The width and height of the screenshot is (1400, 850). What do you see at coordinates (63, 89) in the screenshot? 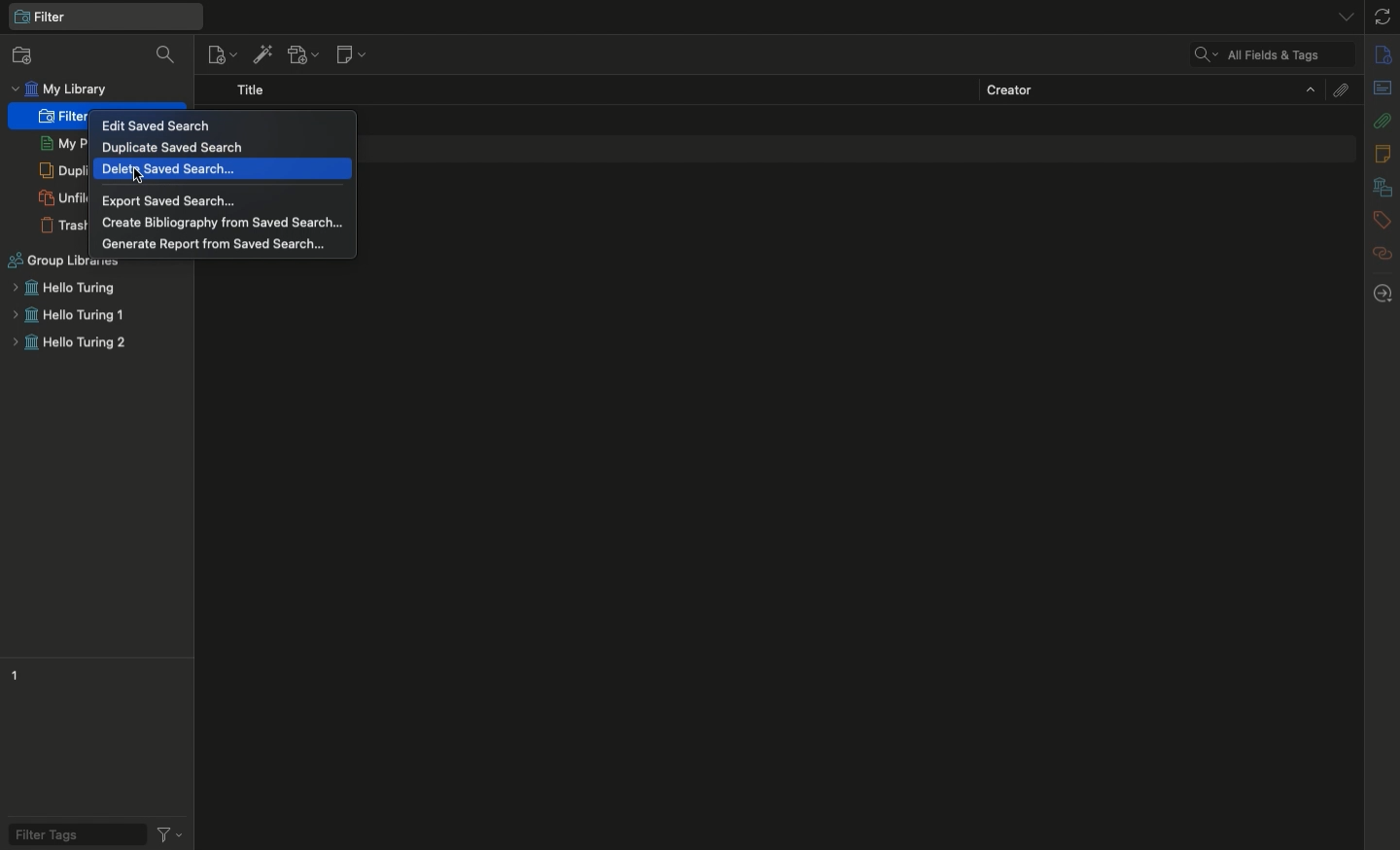
I see `My library` at bounding box center [63, 89].